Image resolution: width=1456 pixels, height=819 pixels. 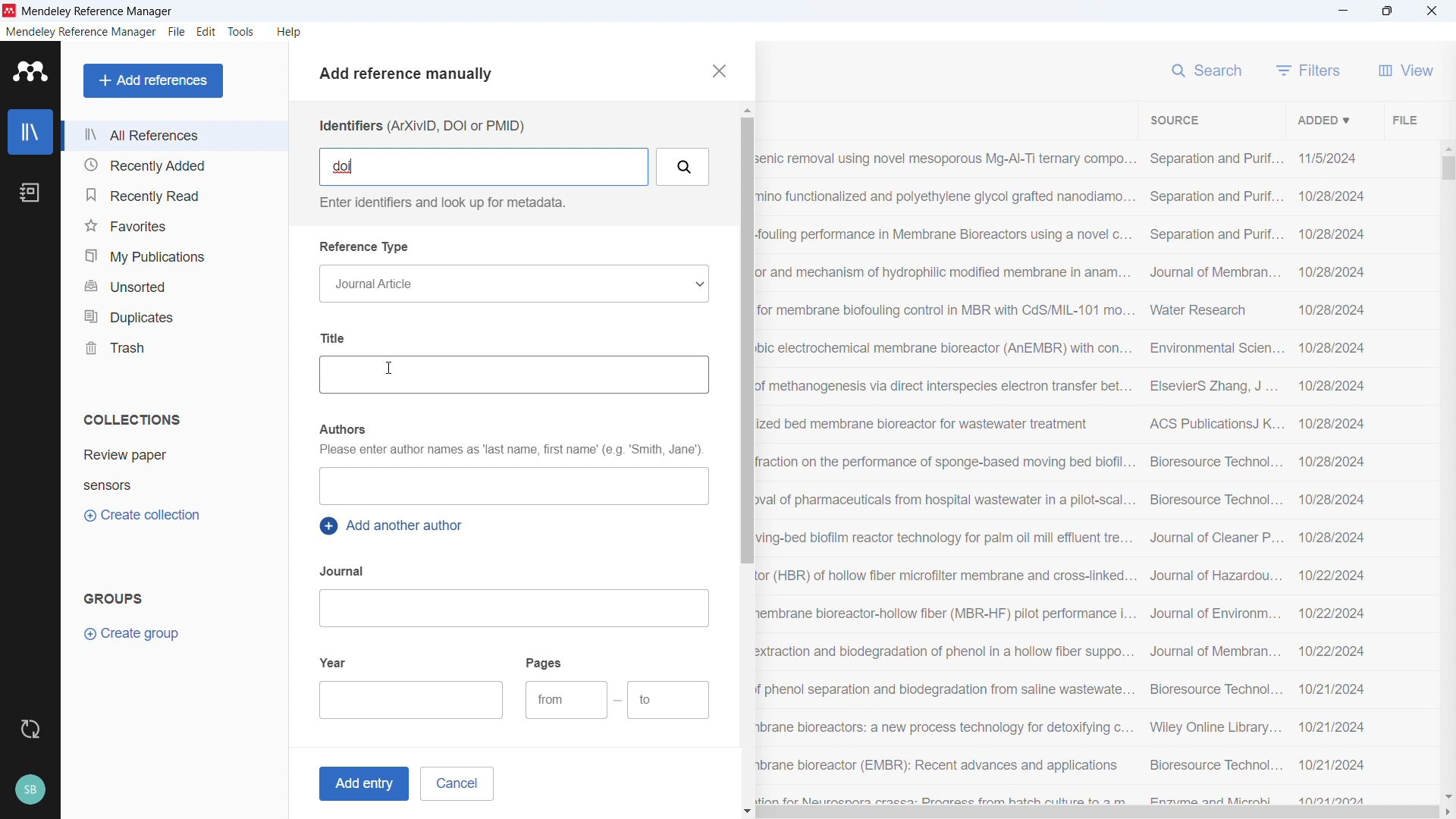 I want to click on Unsorted , so click(x=174, y=284).